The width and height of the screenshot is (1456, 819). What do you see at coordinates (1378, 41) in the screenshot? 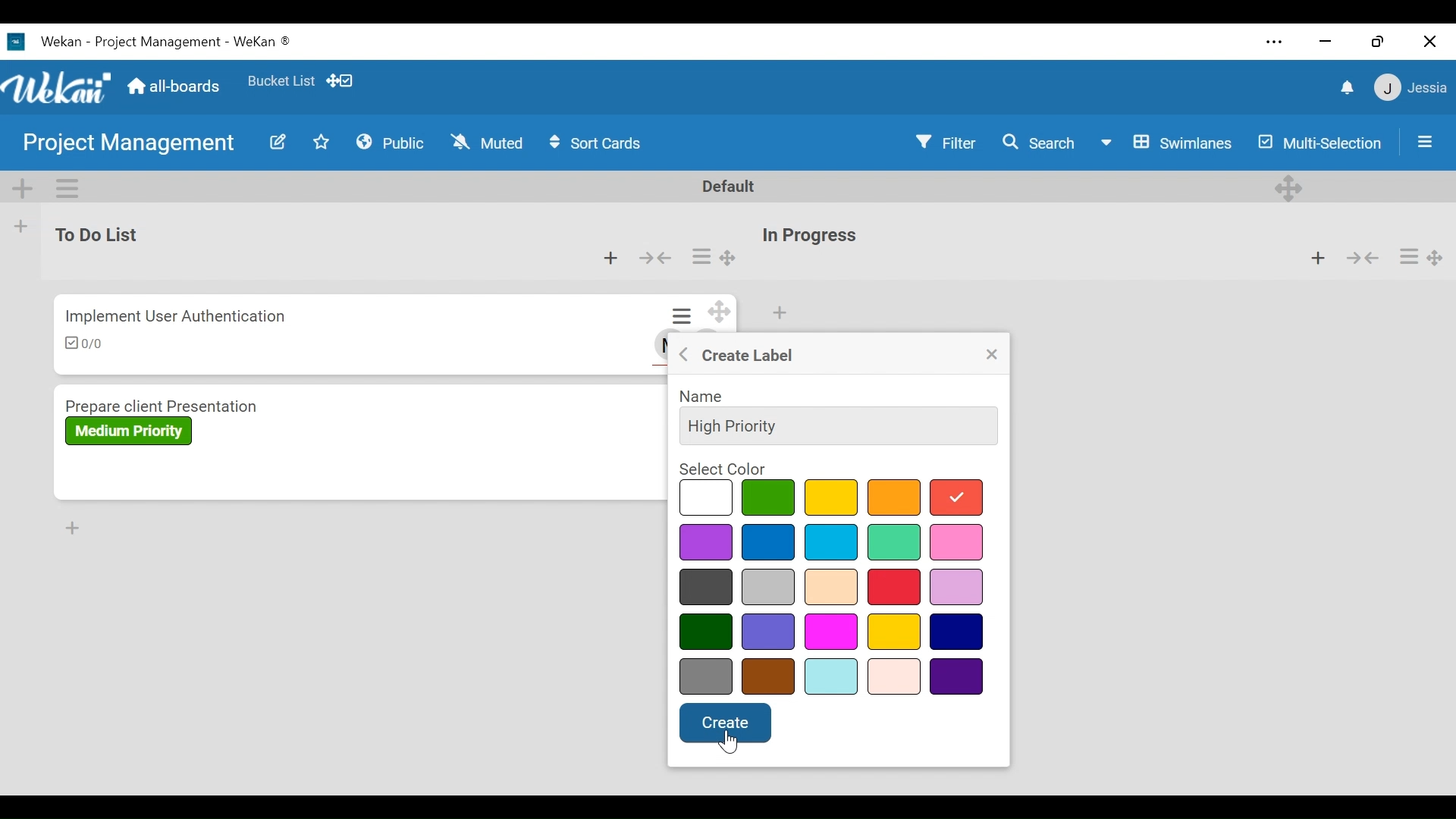
I see `restore` at bounding box center [1378, 41].